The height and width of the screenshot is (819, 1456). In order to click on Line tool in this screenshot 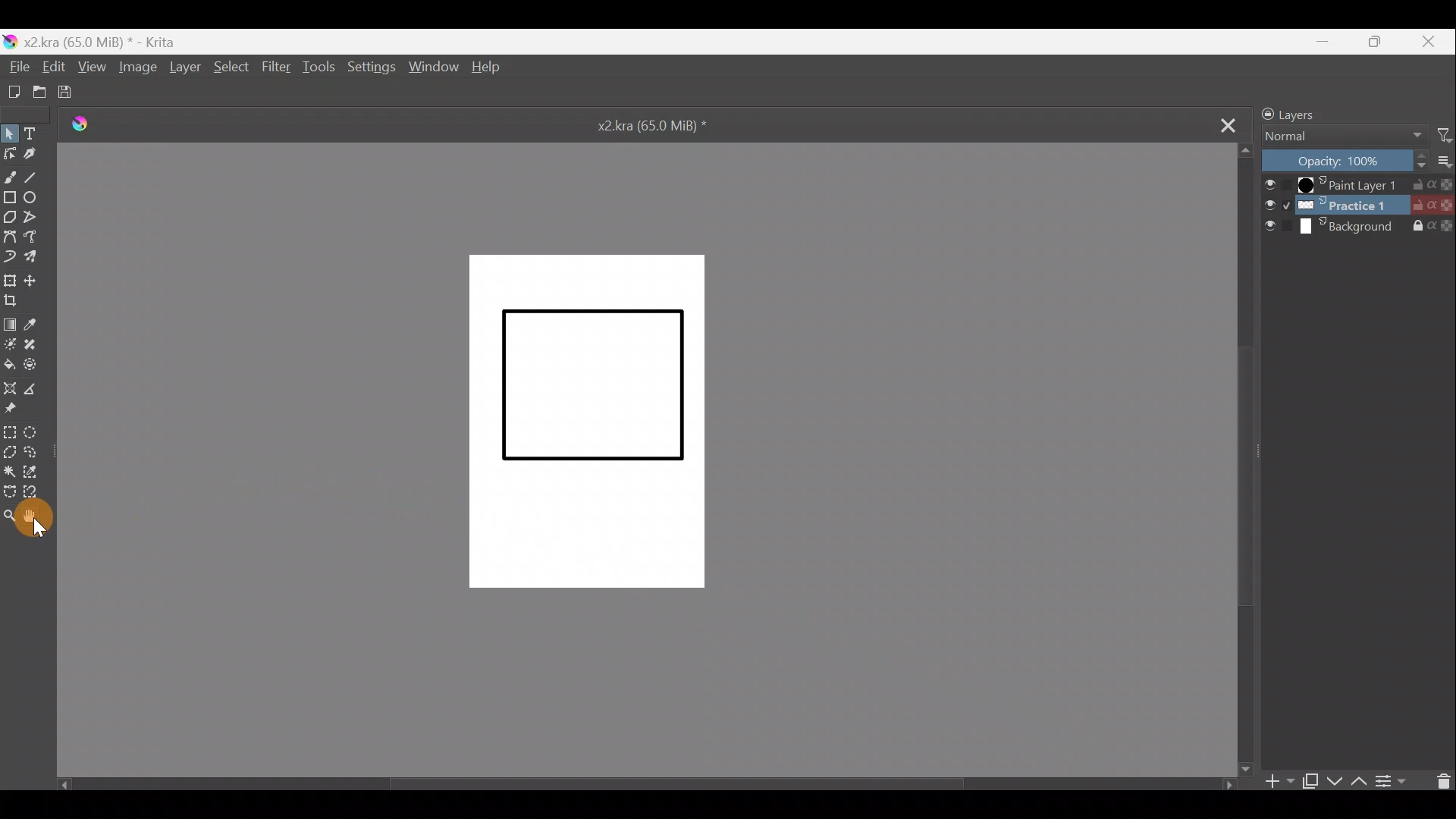, I will do `click(38, 174)`.